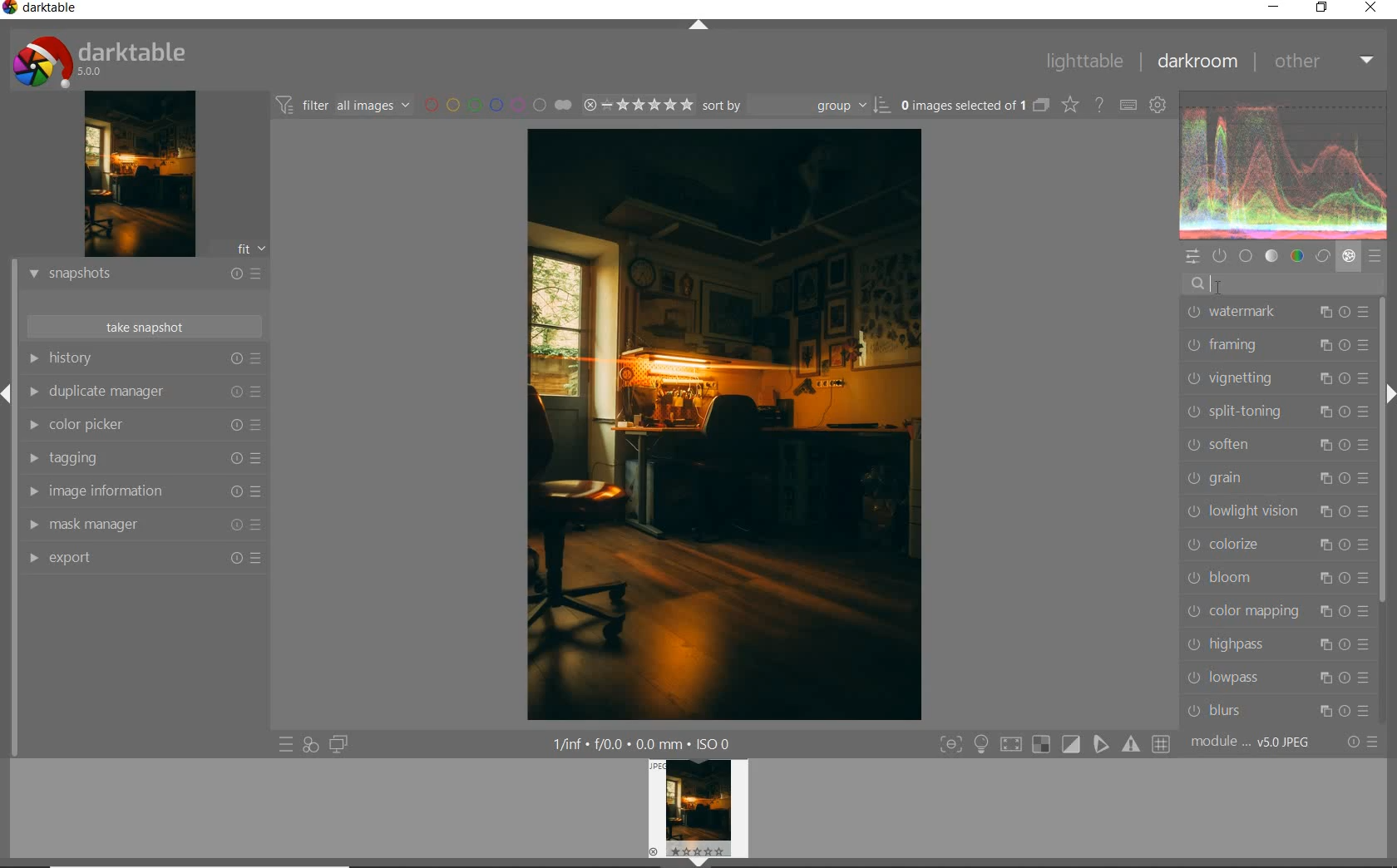 The height and width of the screenshot is (868, 1397). What do you see at coordinates (1284, 165) in the screenshot?
I see `waveform` at bounding box center [1284, 165].